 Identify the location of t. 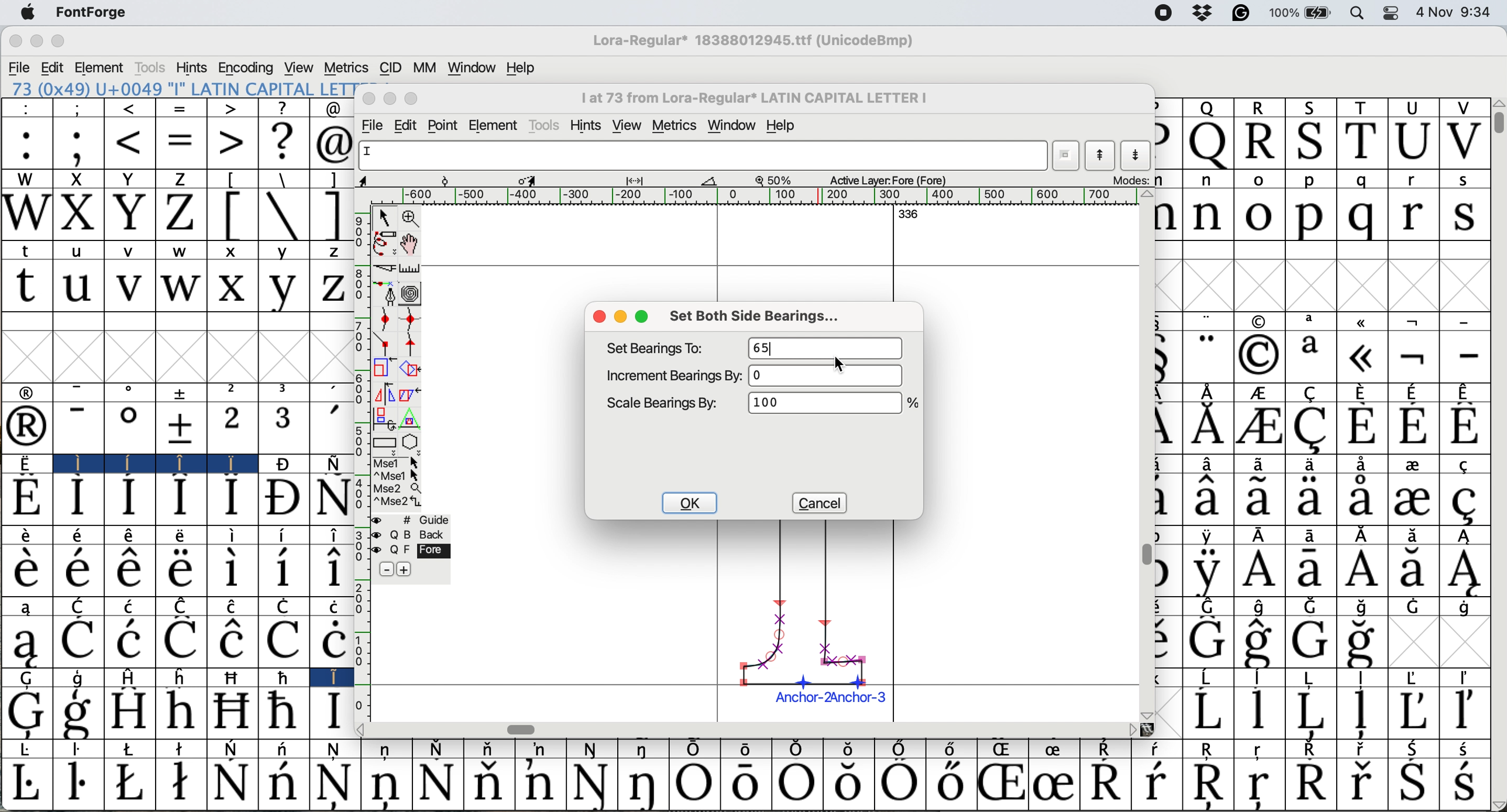
(25, 287).